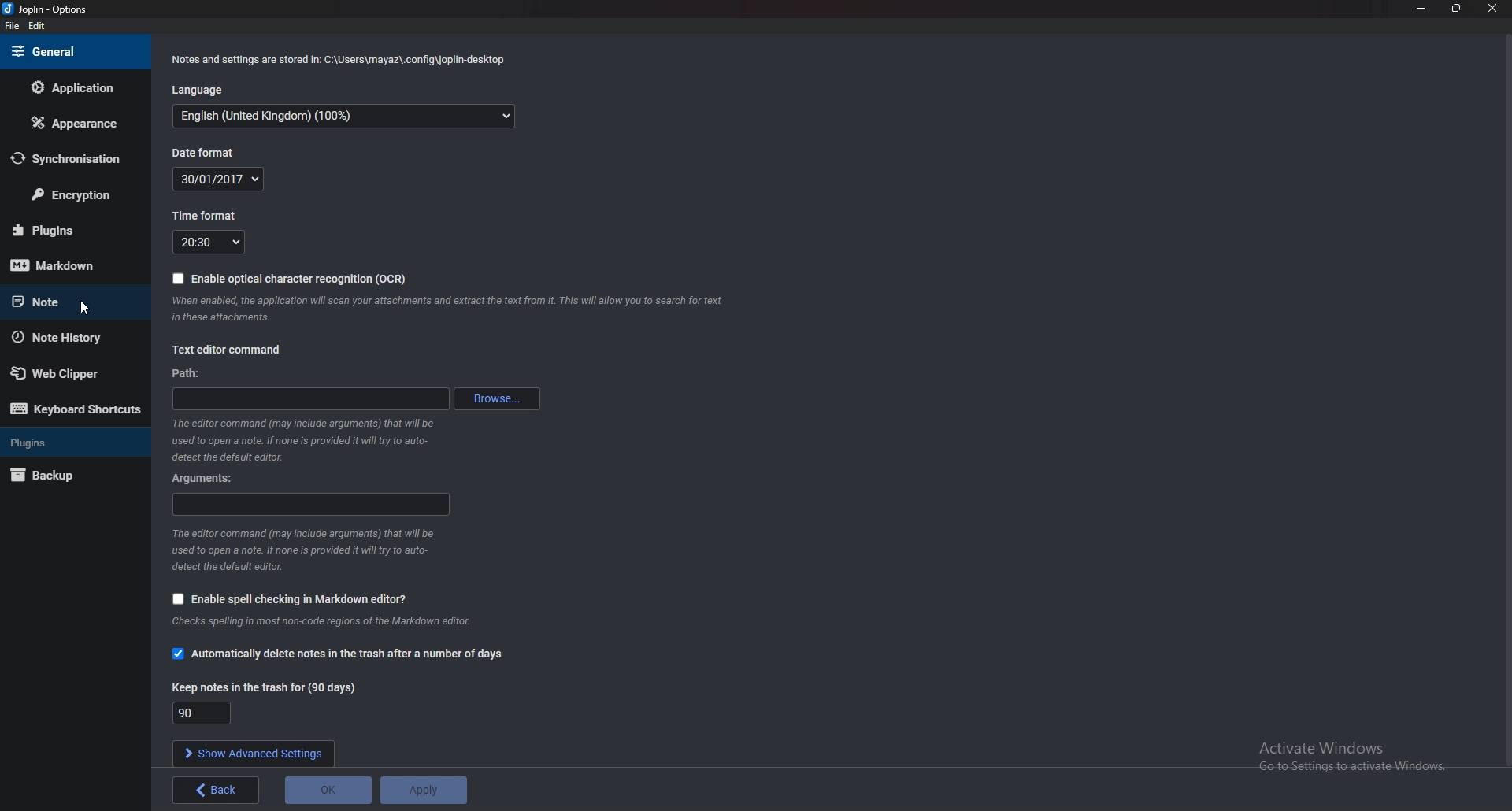 The image size is (1512, 811). Describe the element at coordinates (205, 91) in the screenshot. I see `Language` at that location.